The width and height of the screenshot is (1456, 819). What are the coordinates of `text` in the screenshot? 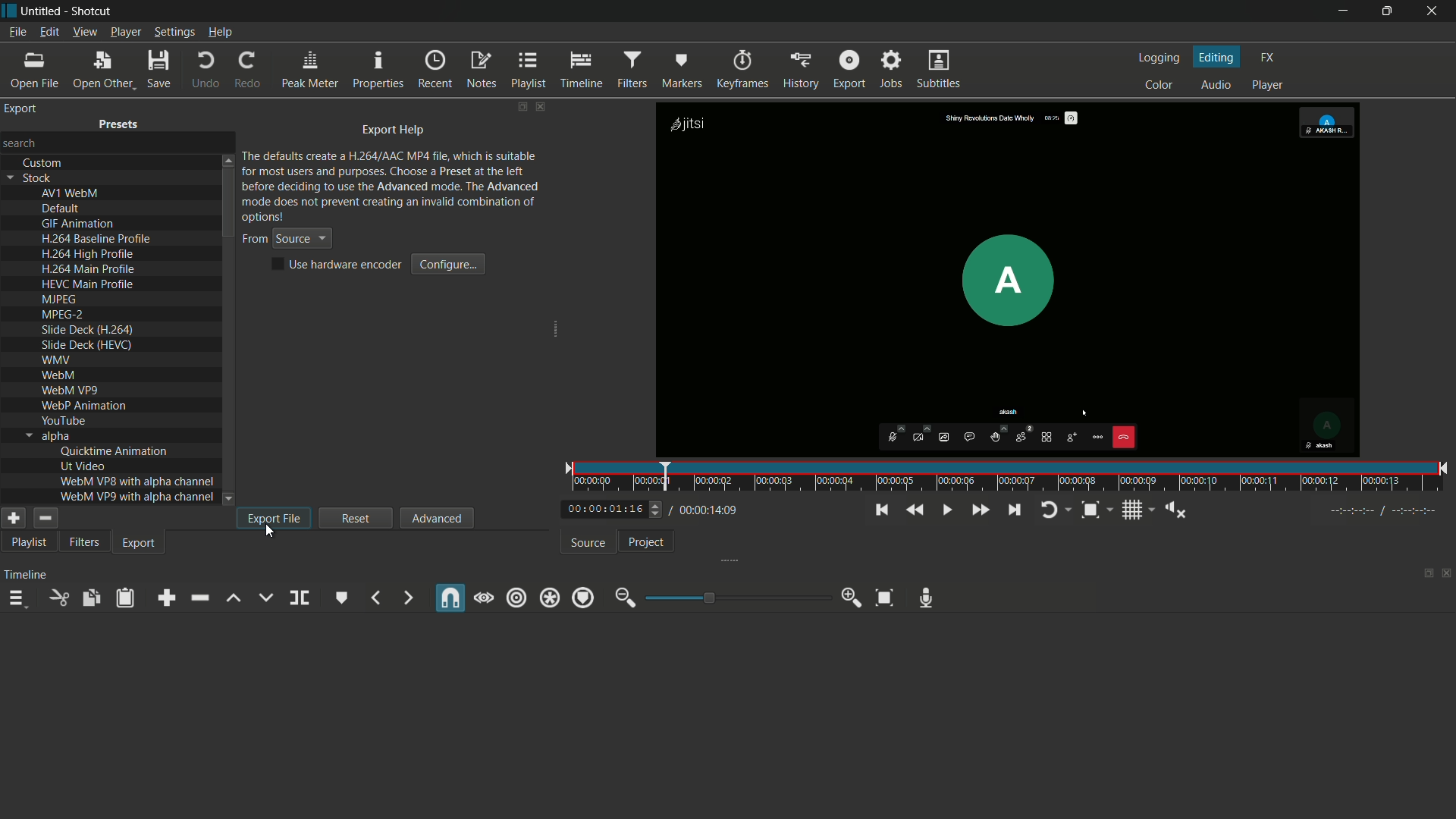 It's located at (86, 344).